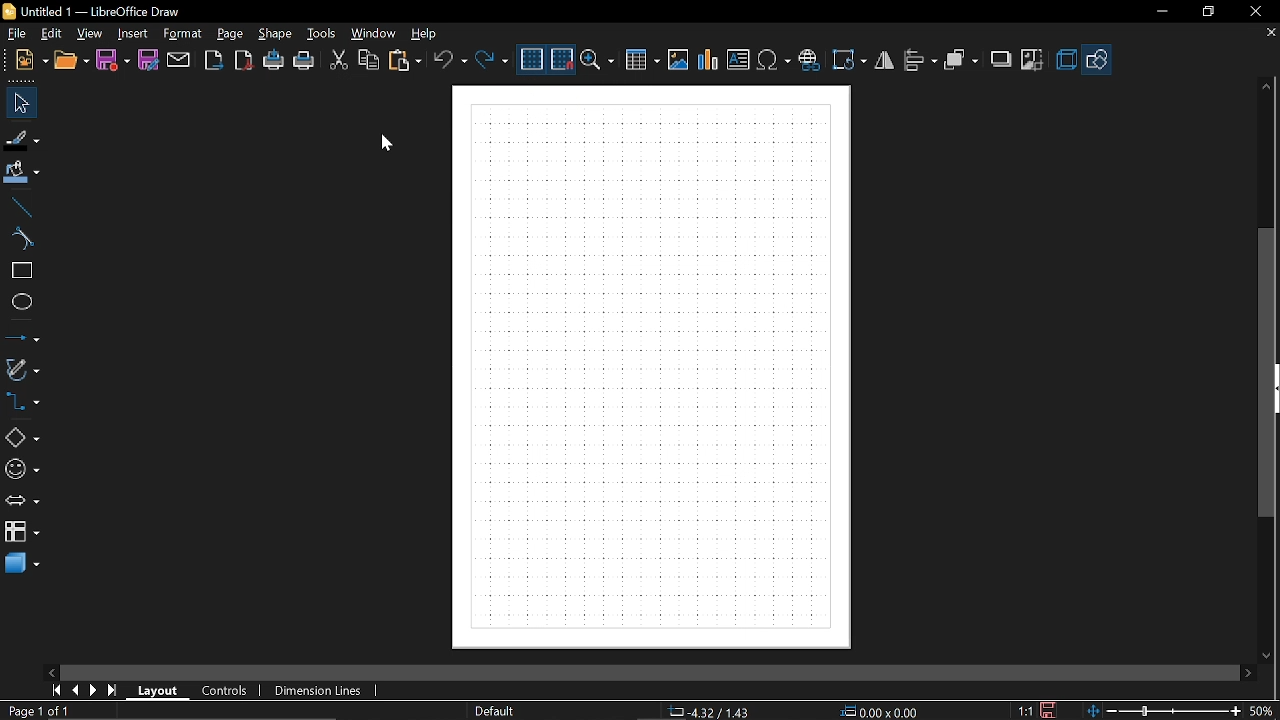 The height and width of the screenshot is (720, 1280). Describe the element at coordinates (73, 62) in the screenshot. I see `open` at that location.